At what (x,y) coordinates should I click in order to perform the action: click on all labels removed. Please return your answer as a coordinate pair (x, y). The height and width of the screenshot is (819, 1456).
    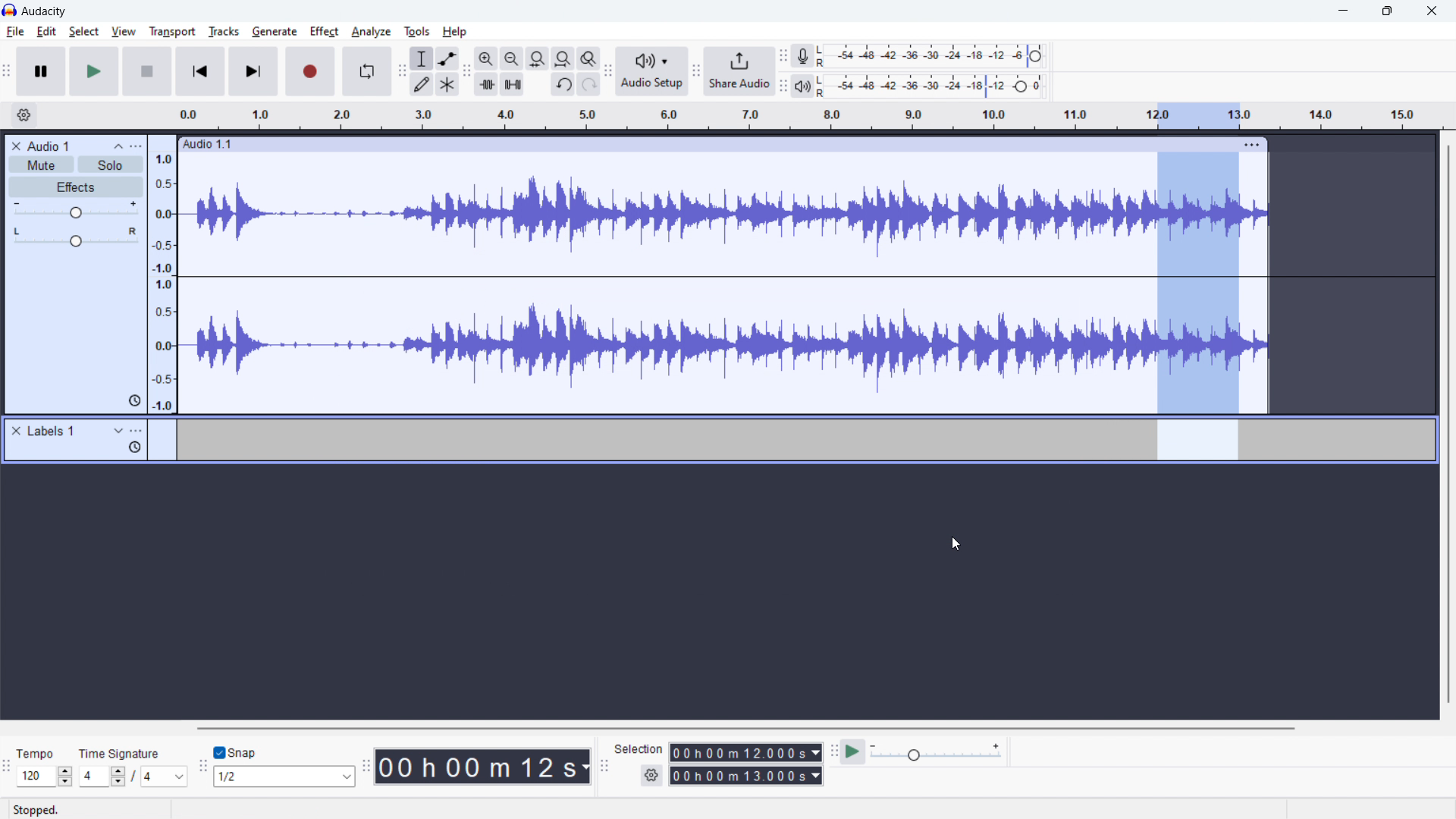
    Looking at the image, I should click on (801, 440).